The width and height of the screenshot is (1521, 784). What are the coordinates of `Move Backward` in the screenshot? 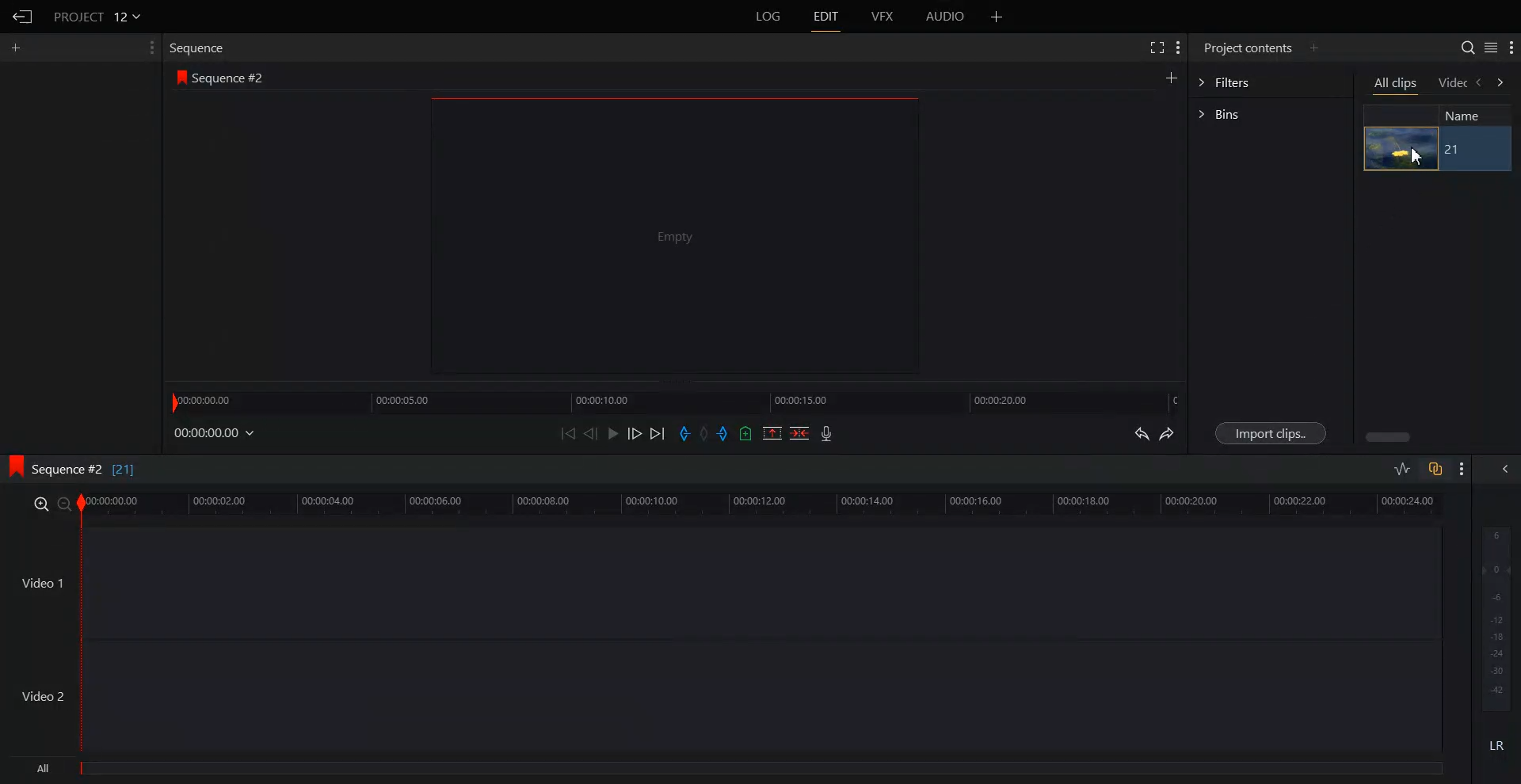 It's located at (568, 432).